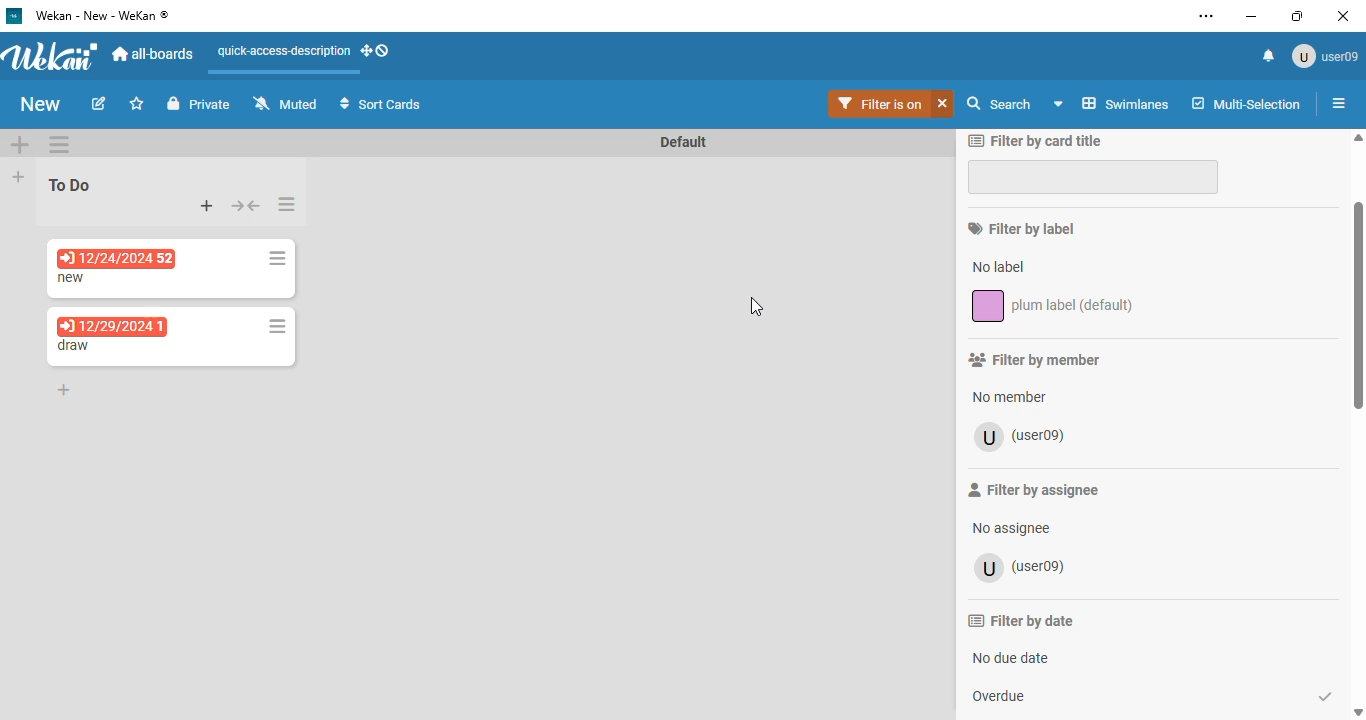 The image size is (1366, 720). What do you see at coordinates (18, 176) in the screenshot?
I see `add list` at bounding box center [18, 176].